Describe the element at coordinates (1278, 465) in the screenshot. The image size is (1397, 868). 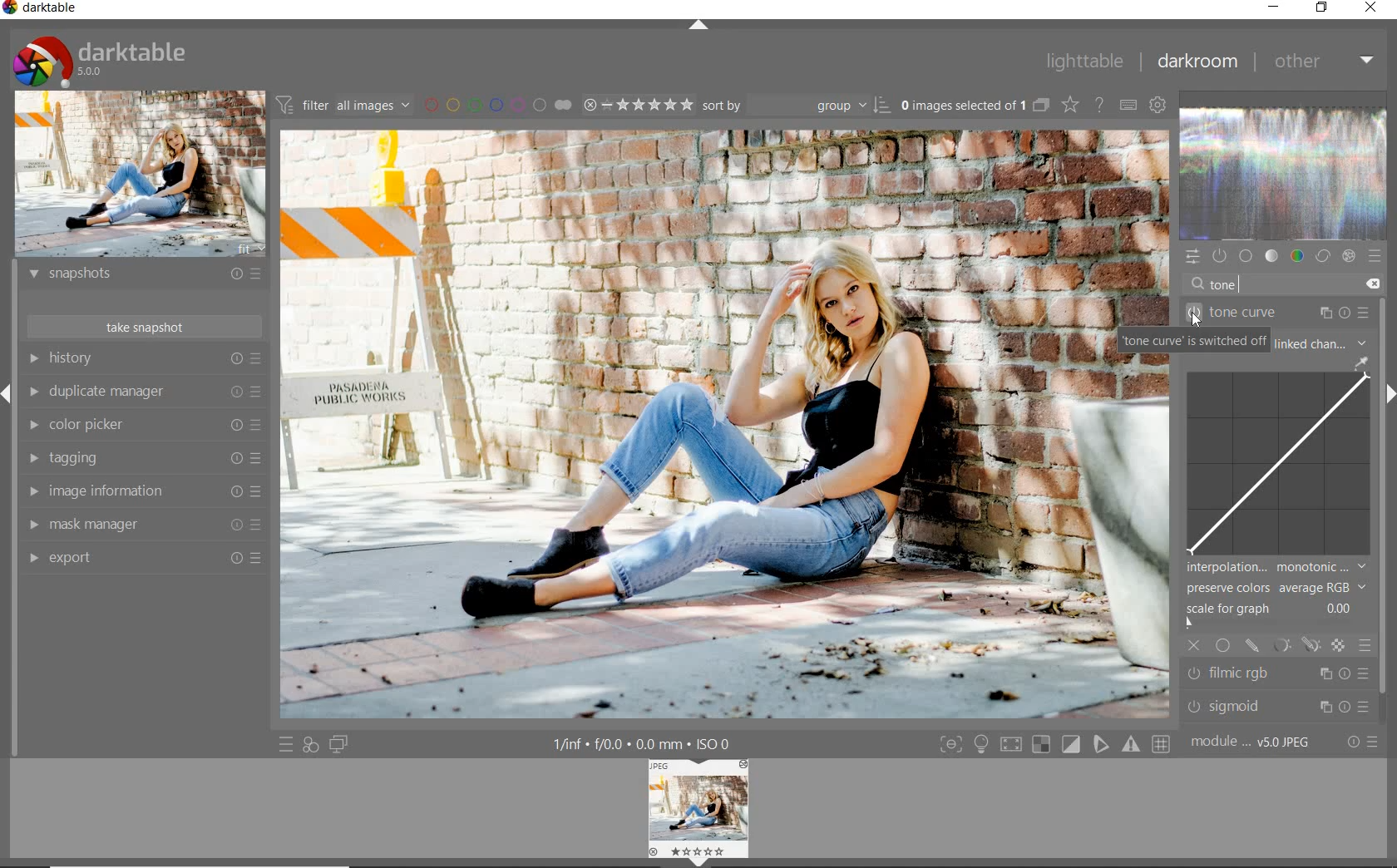
I see `tone curve map` at that location.